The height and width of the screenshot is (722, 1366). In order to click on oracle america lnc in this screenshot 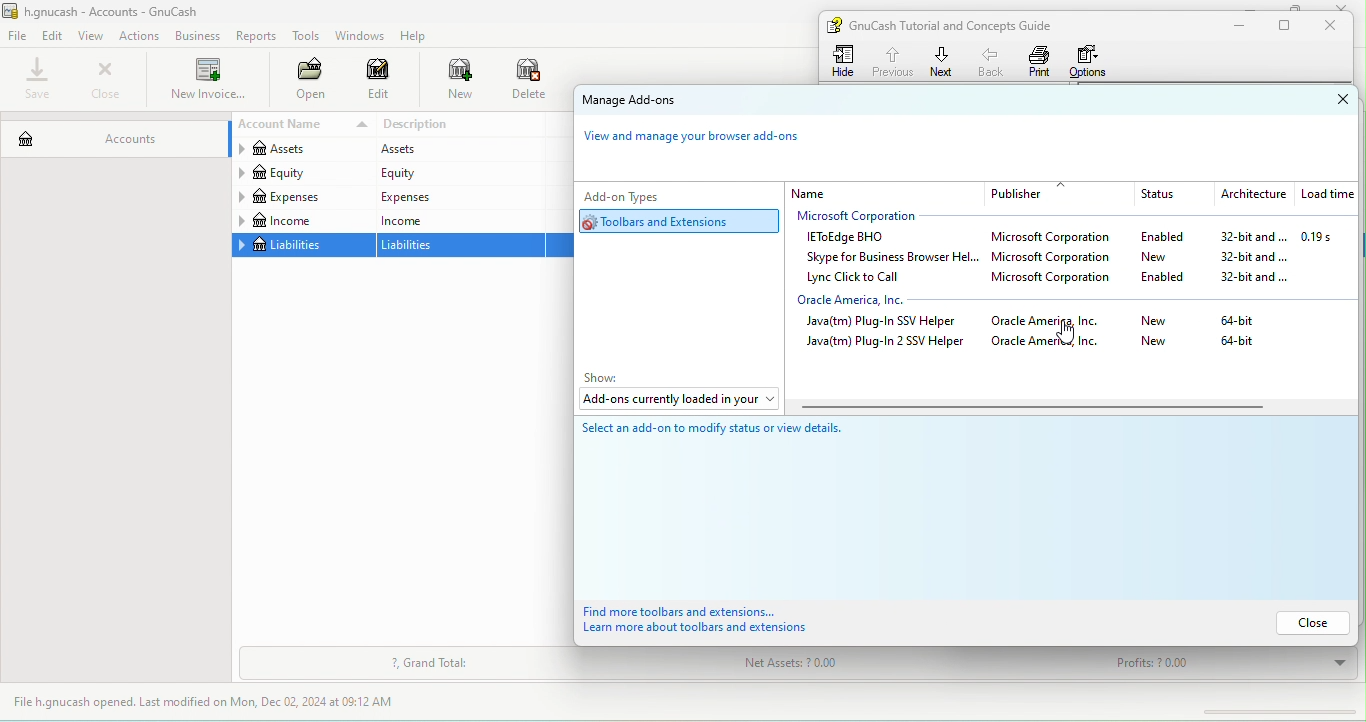, I will do `click(1051, 343)`.